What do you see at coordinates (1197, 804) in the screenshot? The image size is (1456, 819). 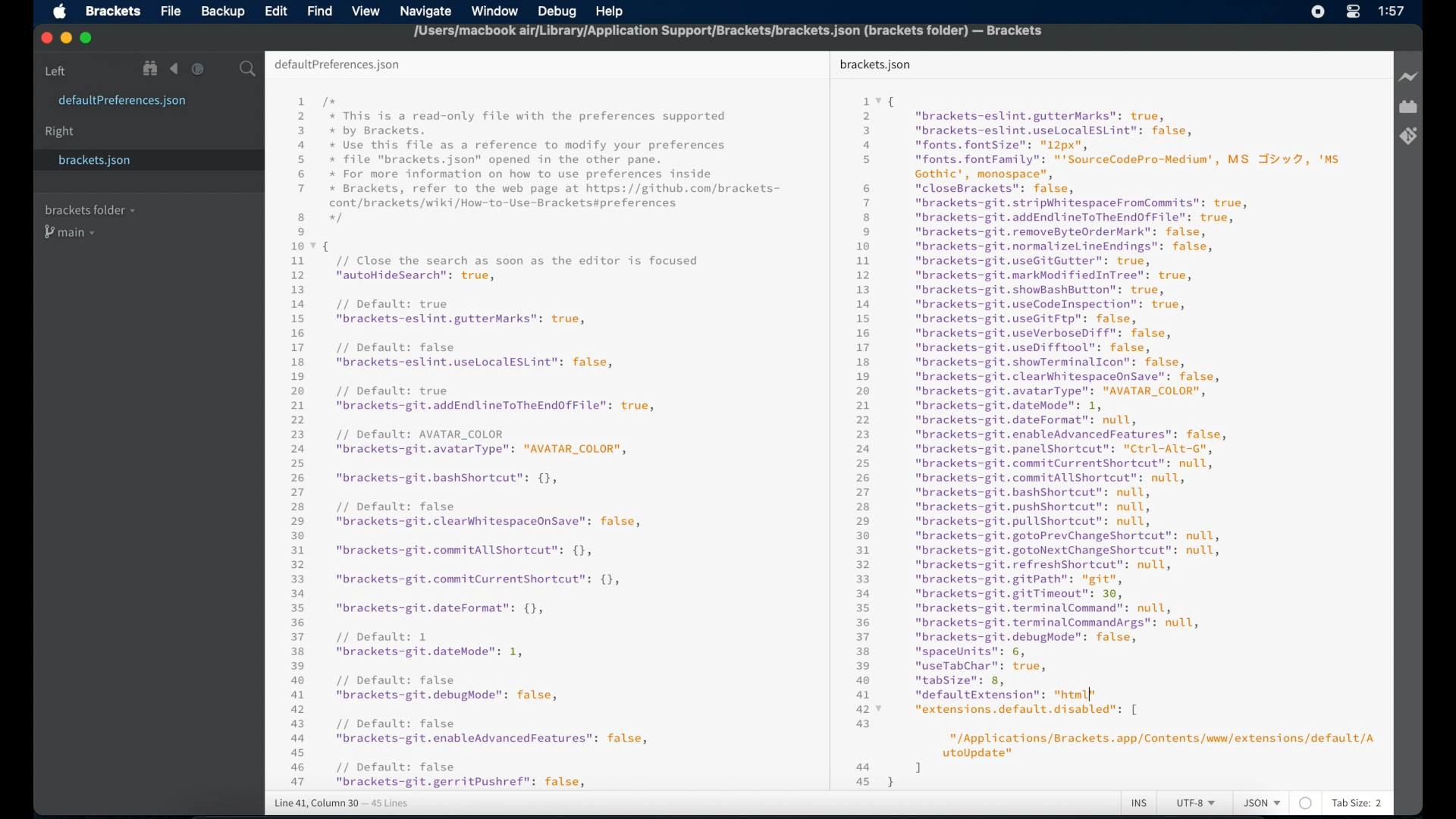 I see `utf-8` at bounding box center [1197, 804].